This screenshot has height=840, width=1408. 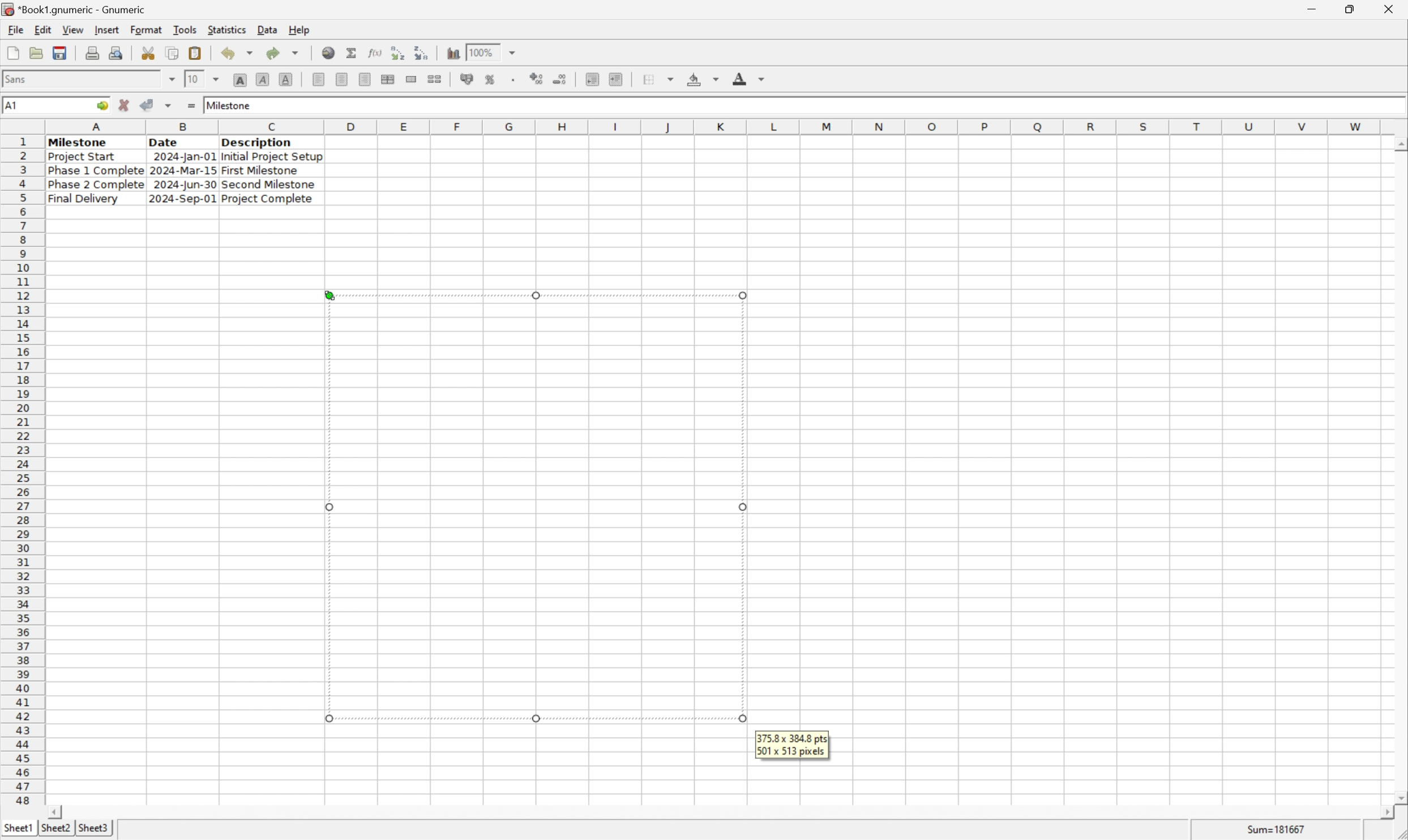 I want to click on go to, so click(x=100, y=106).